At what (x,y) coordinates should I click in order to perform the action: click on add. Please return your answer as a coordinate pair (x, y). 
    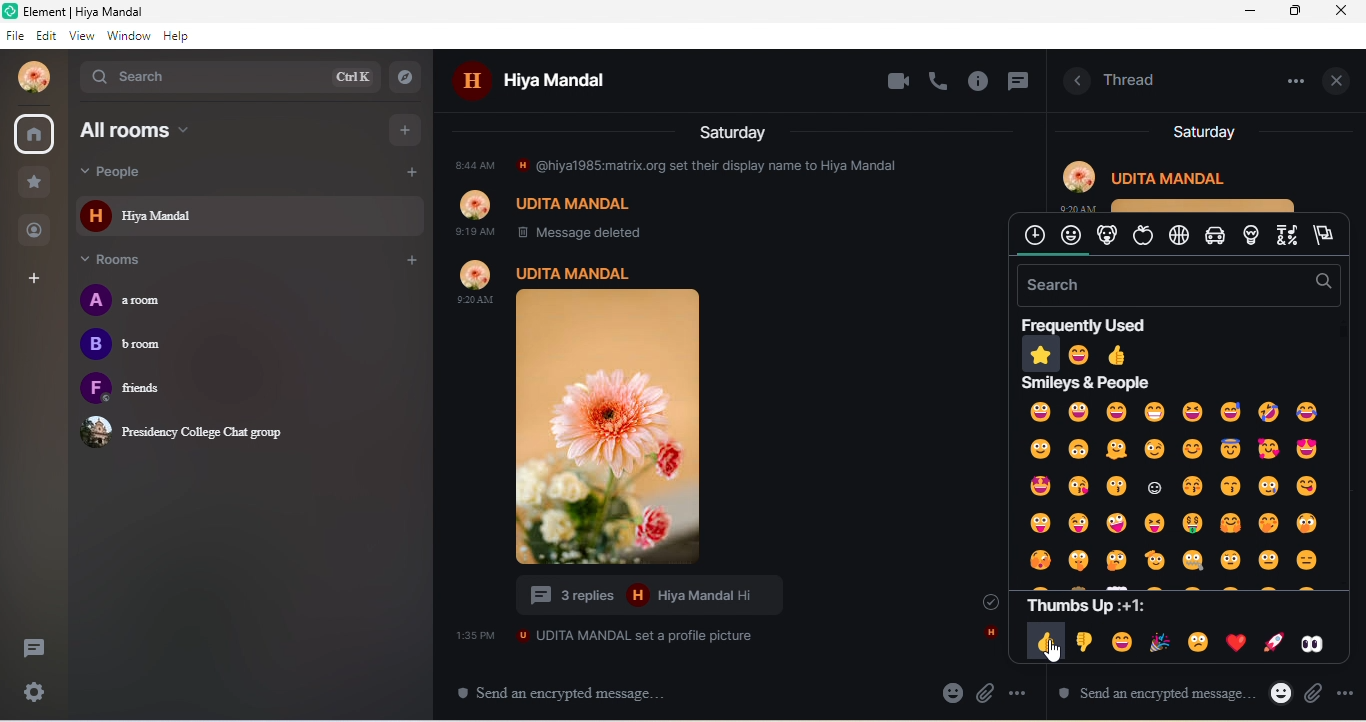
    Looking at the image, I should click on (407, 128).